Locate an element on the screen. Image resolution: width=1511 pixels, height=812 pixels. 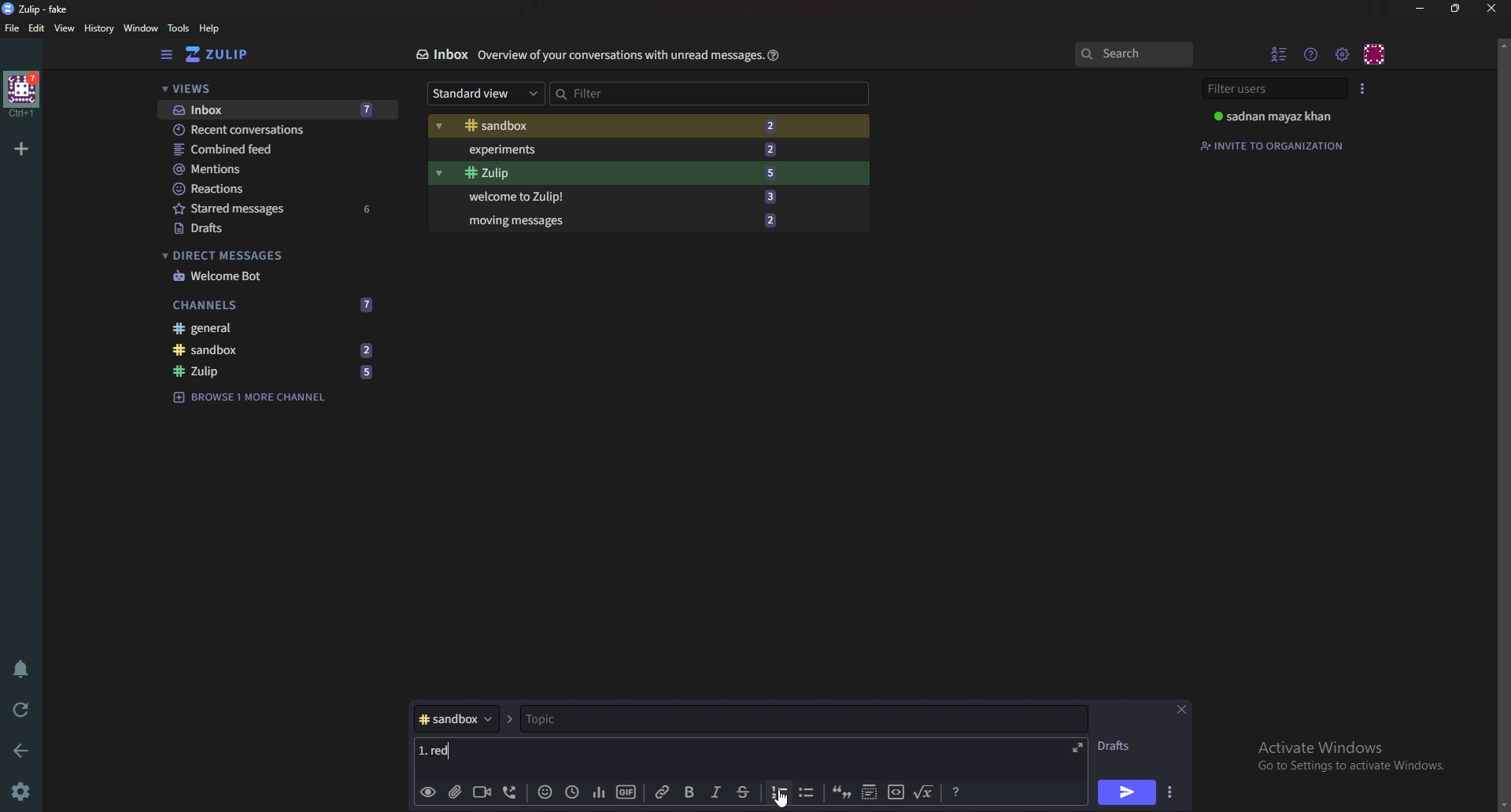
Italic is located at coordinates (715, 795).